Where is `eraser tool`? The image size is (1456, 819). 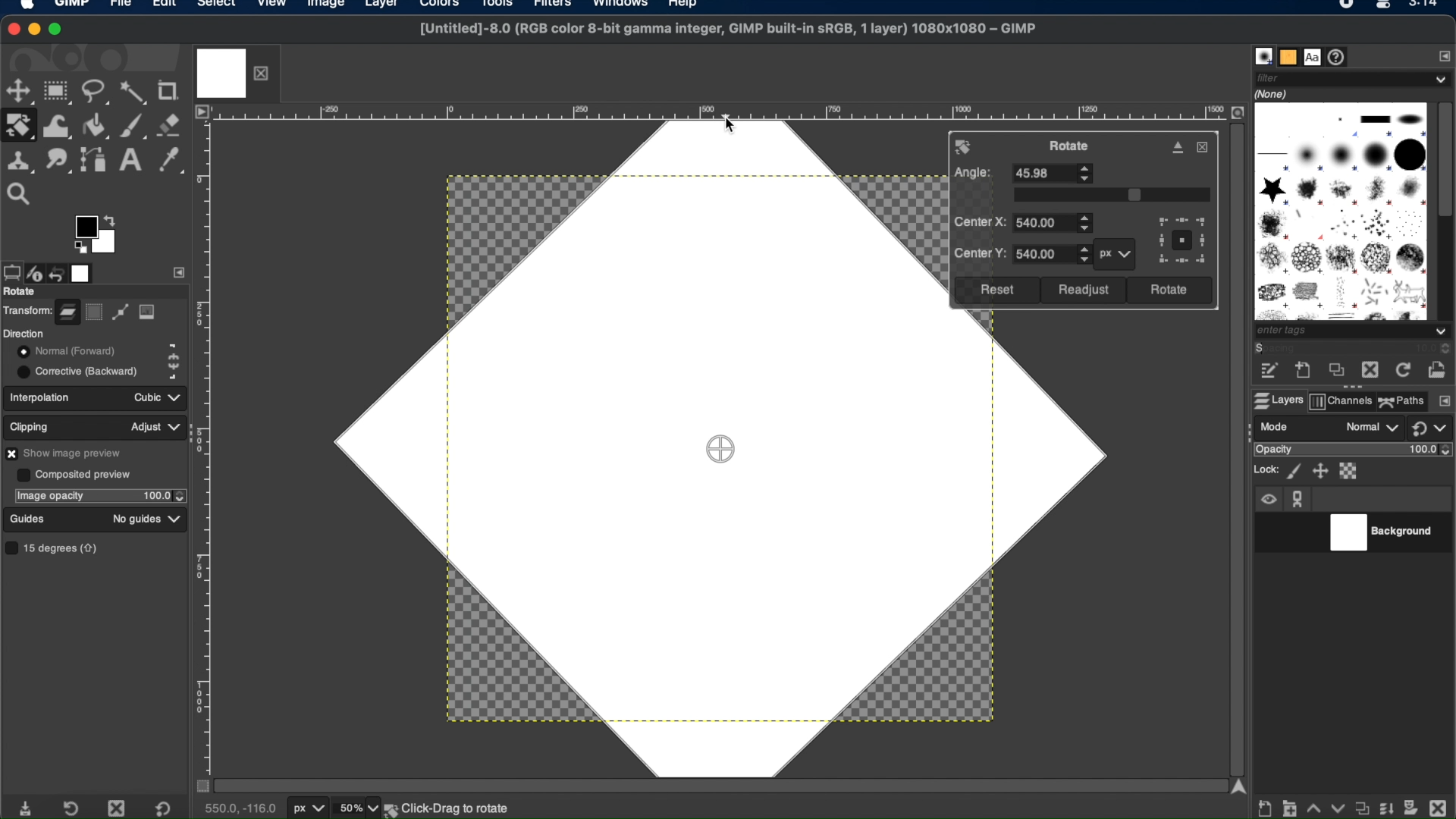
eraser tool is located at coordinates (171, 125).